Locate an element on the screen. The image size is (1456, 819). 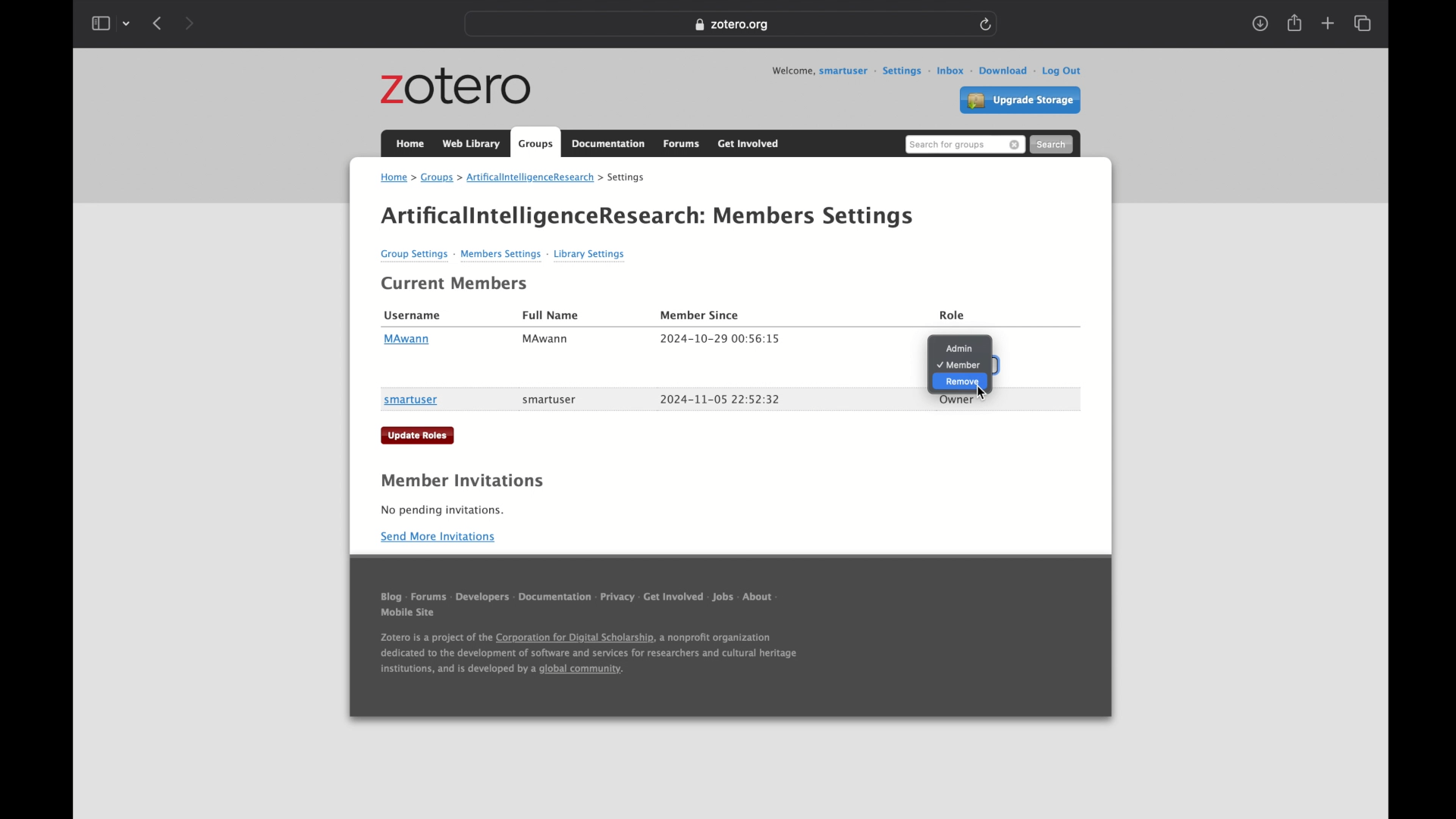
back is located at coordinates (157, 23).